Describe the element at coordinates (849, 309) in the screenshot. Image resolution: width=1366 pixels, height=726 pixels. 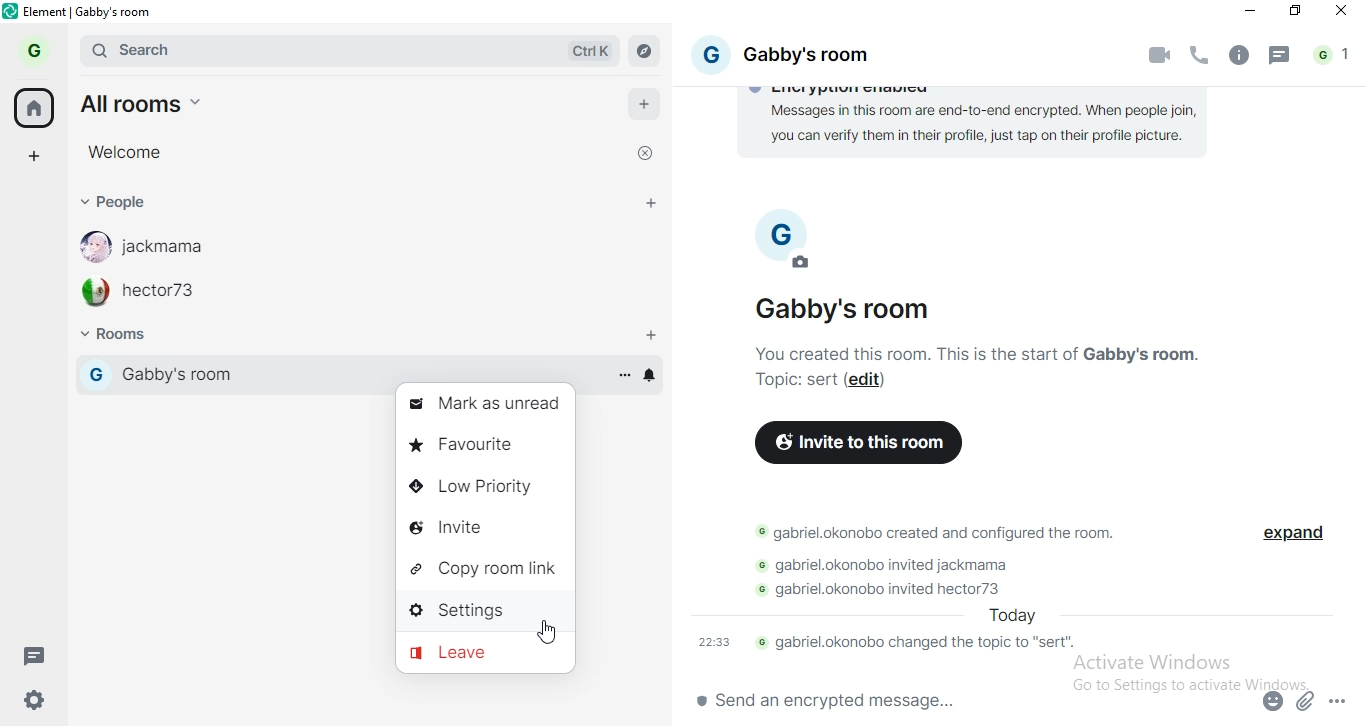
I see `gabby's room` at that location.